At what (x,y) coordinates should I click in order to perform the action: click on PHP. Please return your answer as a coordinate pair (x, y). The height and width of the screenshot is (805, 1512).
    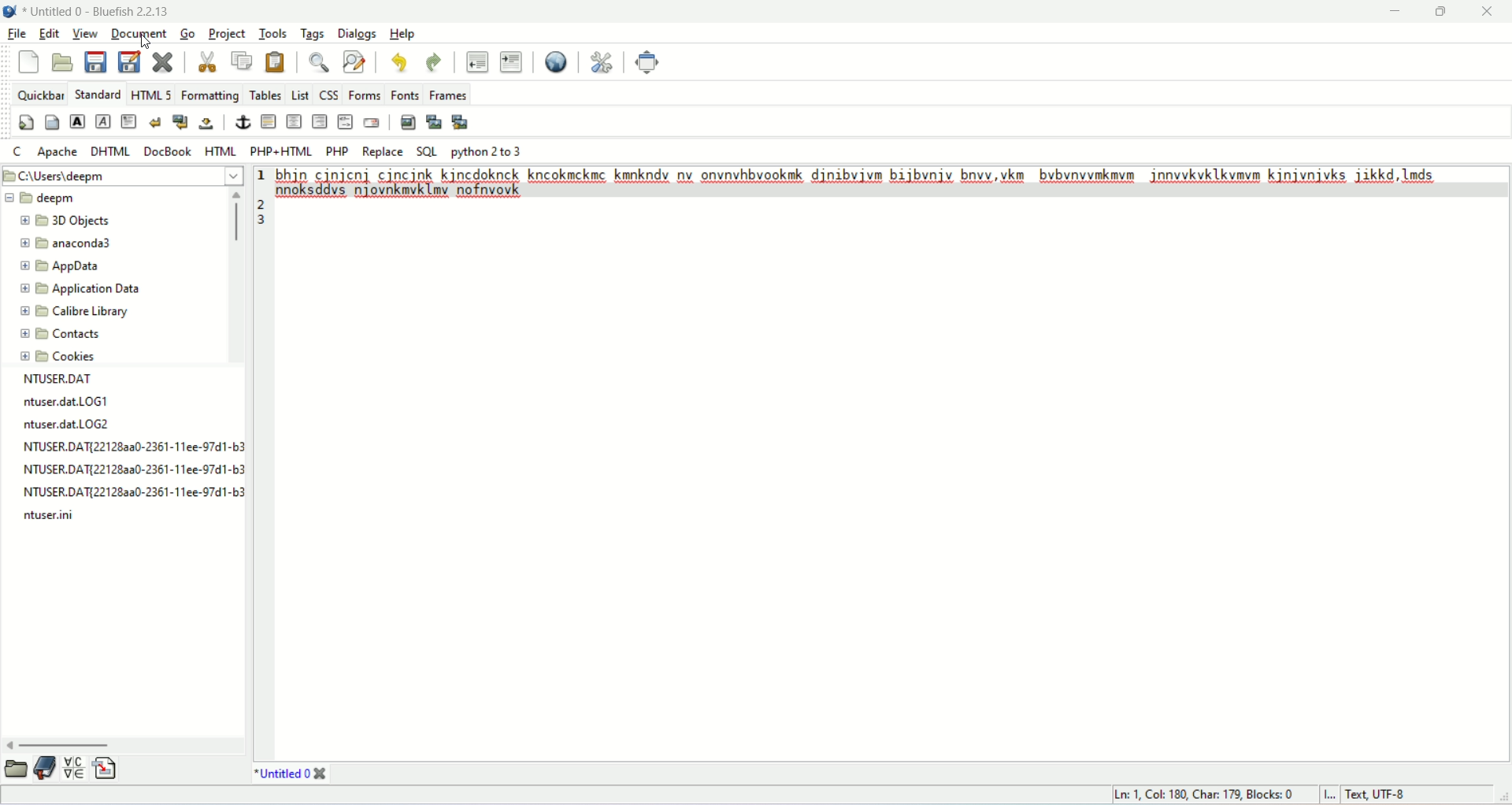
    Looking at the image, I should click on (338, 150).